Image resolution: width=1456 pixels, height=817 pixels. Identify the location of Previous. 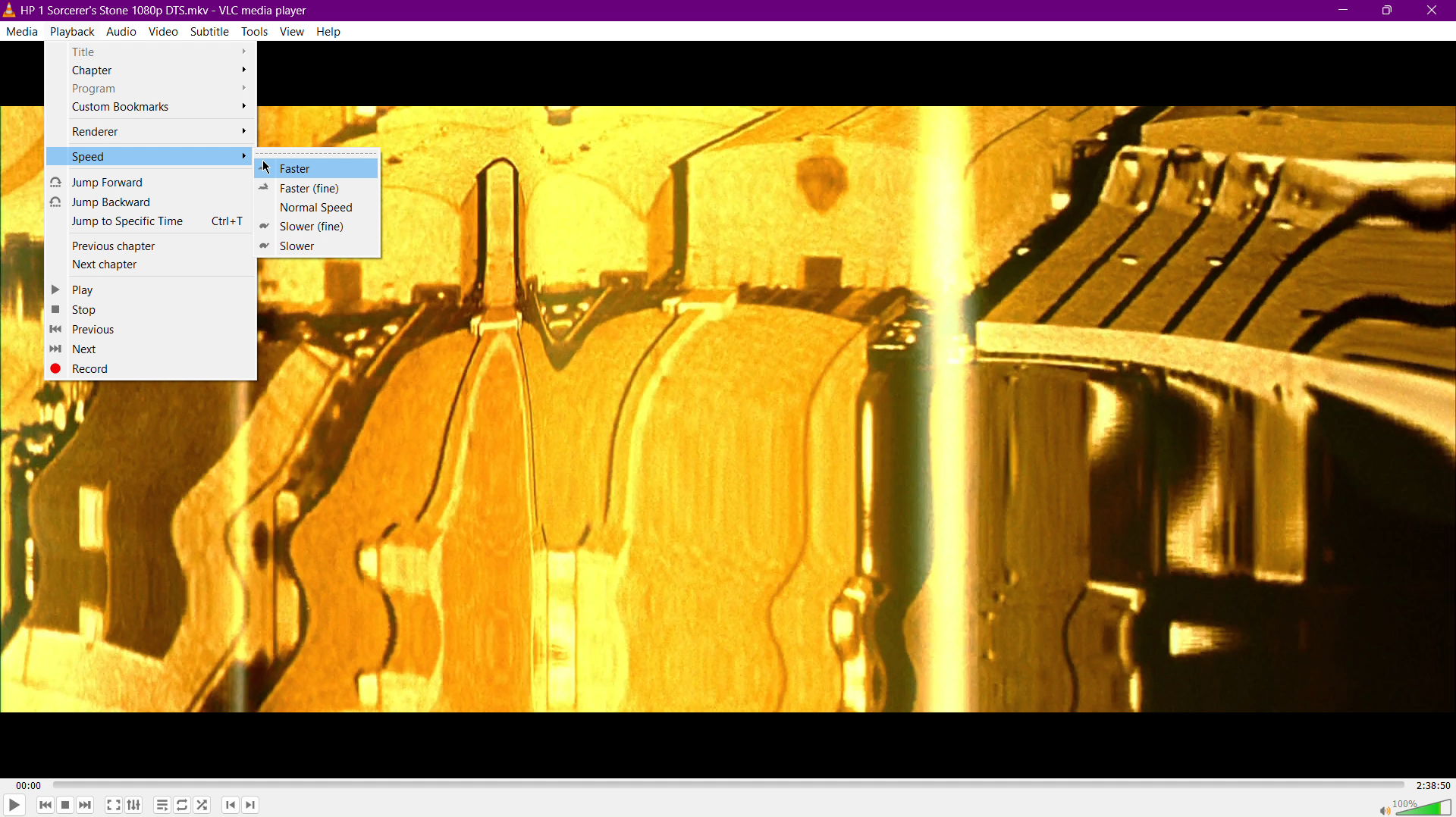
(84, 329).